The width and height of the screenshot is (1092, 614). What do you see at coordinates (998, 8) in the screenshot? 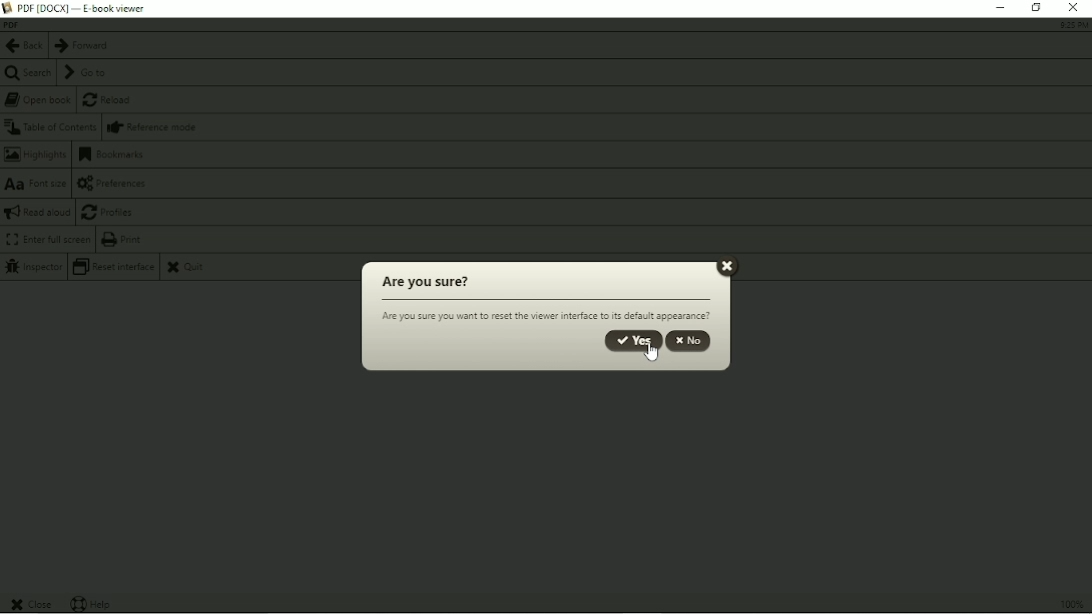
I see `Minimize` at bounding box center [998, 8].